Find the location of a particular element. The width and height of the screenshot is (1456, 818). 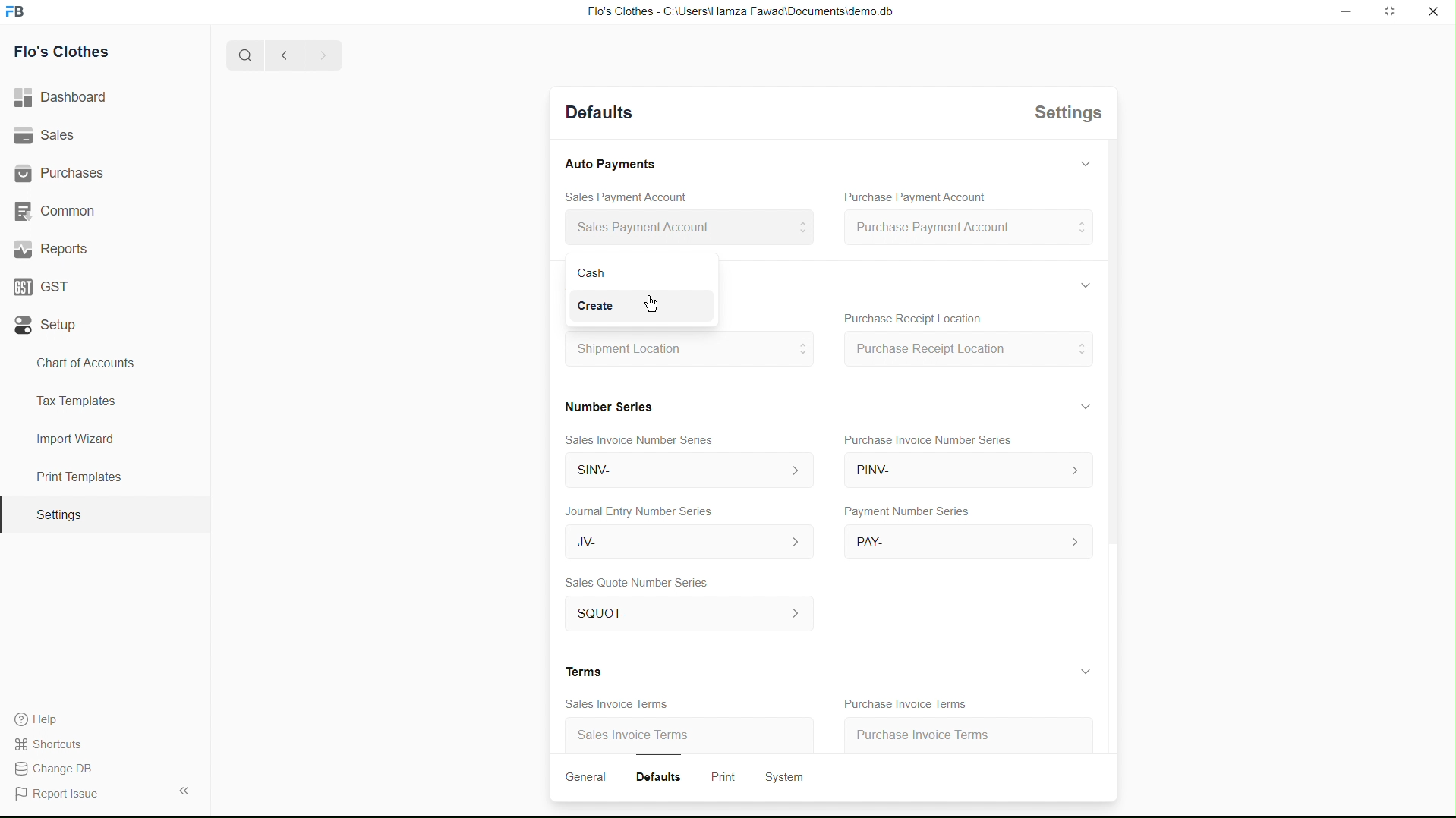

Forward is located at coordinates (323, 55).